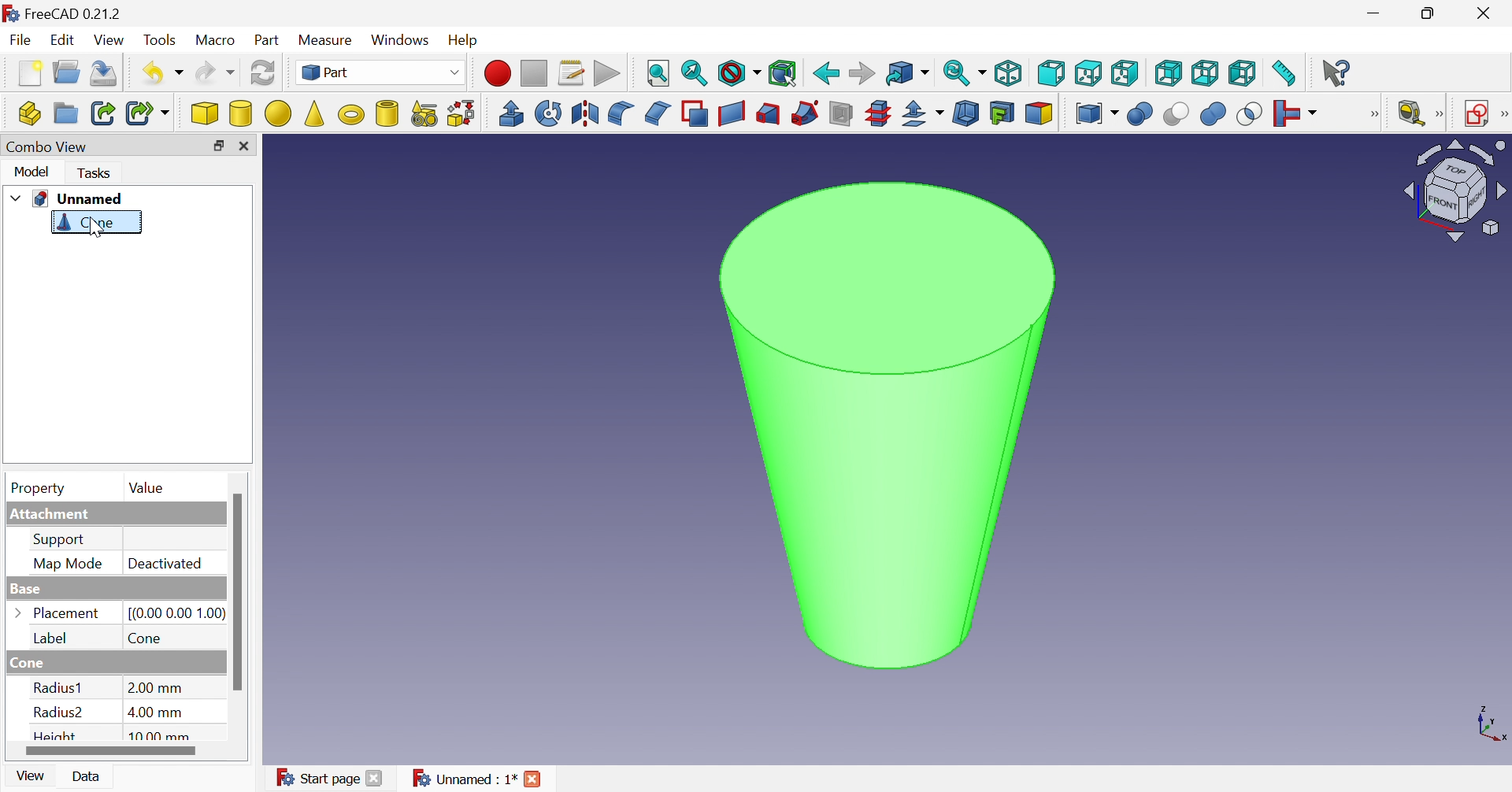 This screenshot has height=792, width=1512. Describe the element at coordinates (29, 590) in the screenshot. I see `Base` at that location.